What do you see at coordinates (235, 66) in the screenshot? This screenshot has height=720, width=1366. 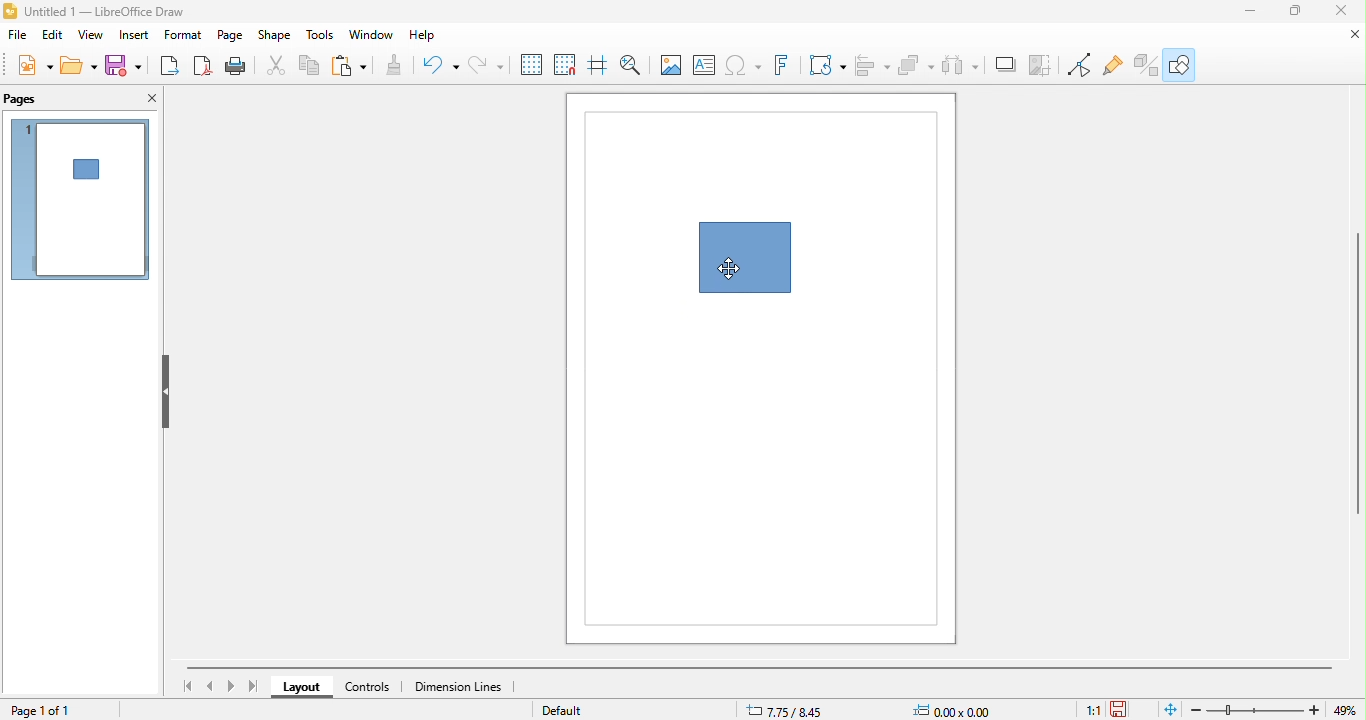 I see `print` at bounding box center [235, 66].